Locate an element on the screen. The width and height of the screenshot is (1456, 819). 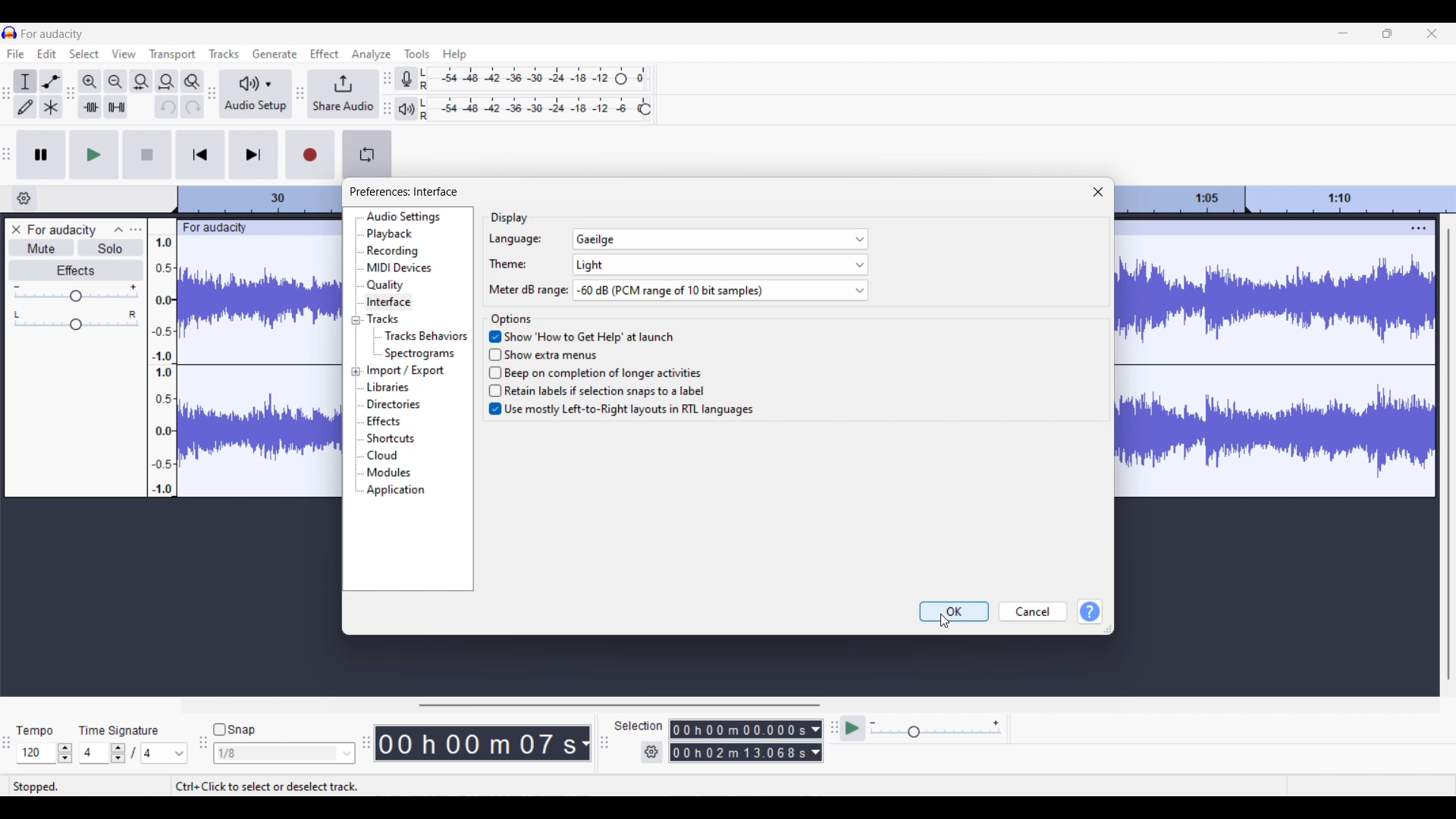
Envelop tool is located at coordinates (51, 81).